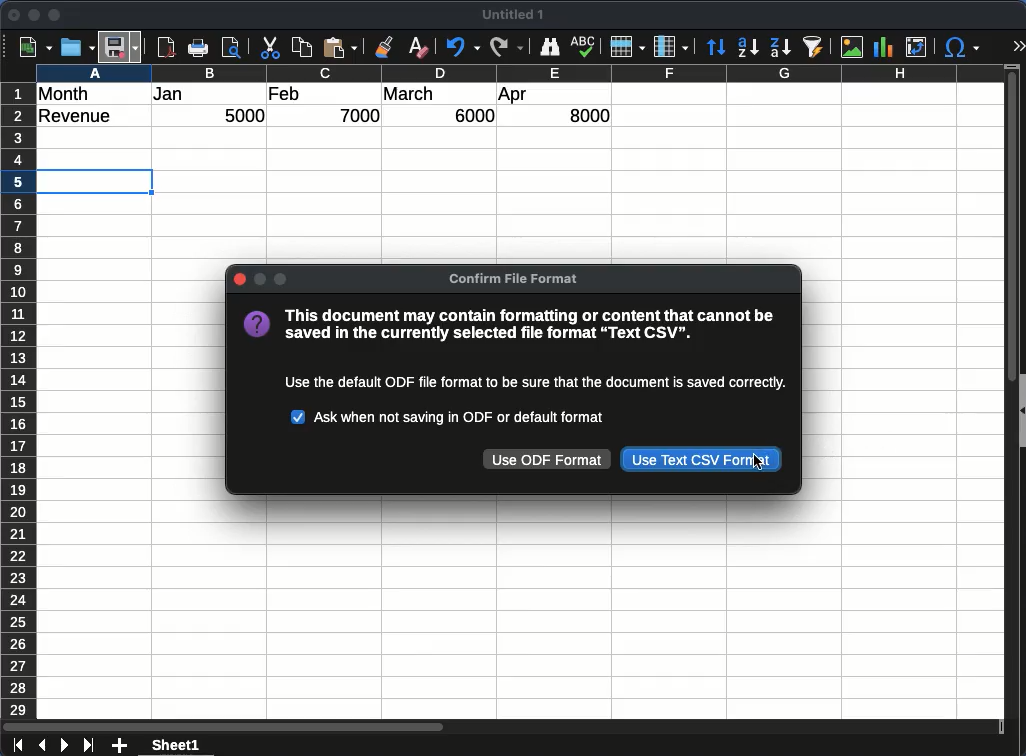  What do you see at coordinates (1018, 46) in the screenshot?
I see `expand` at bounding box center [1018, 46].